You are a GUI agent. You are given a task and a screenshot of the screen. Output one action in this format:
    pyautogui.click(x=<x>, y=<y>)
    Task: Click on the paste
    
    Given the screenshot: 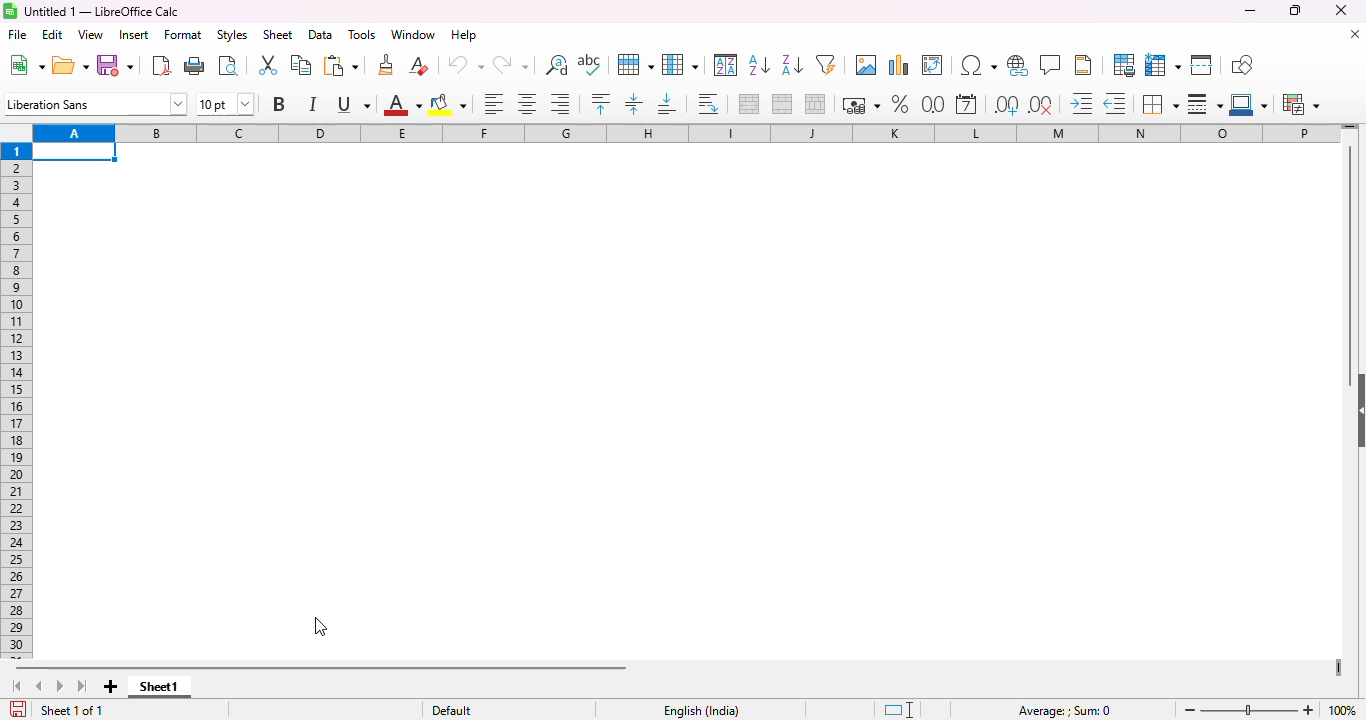 What is the action you would take?
    pyautogui.click(x=342, y=65)
    